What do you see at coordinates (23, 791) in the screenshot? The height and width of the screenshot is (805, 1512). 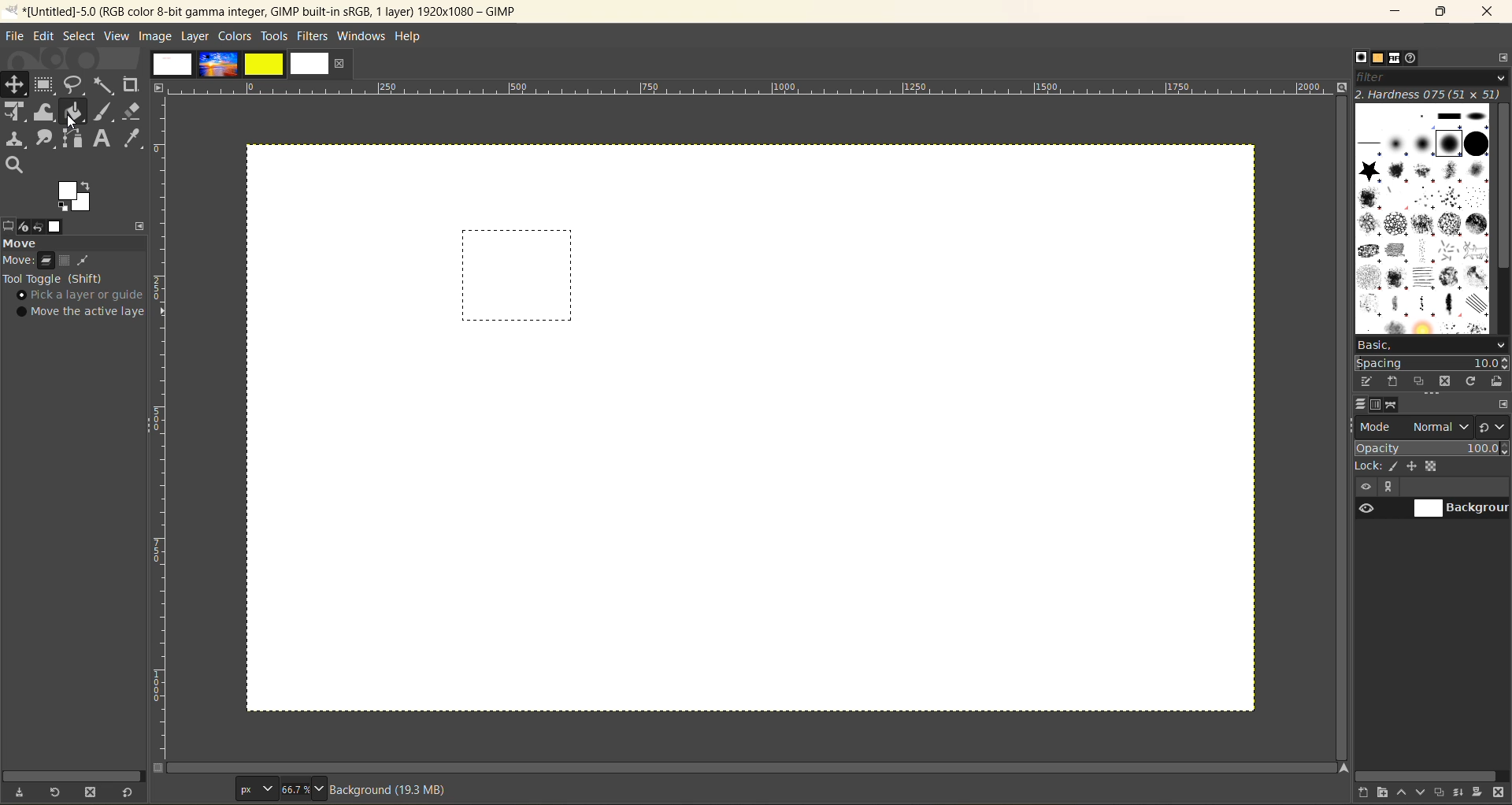 I see `save tool preset` at bounding box center [23, 791].